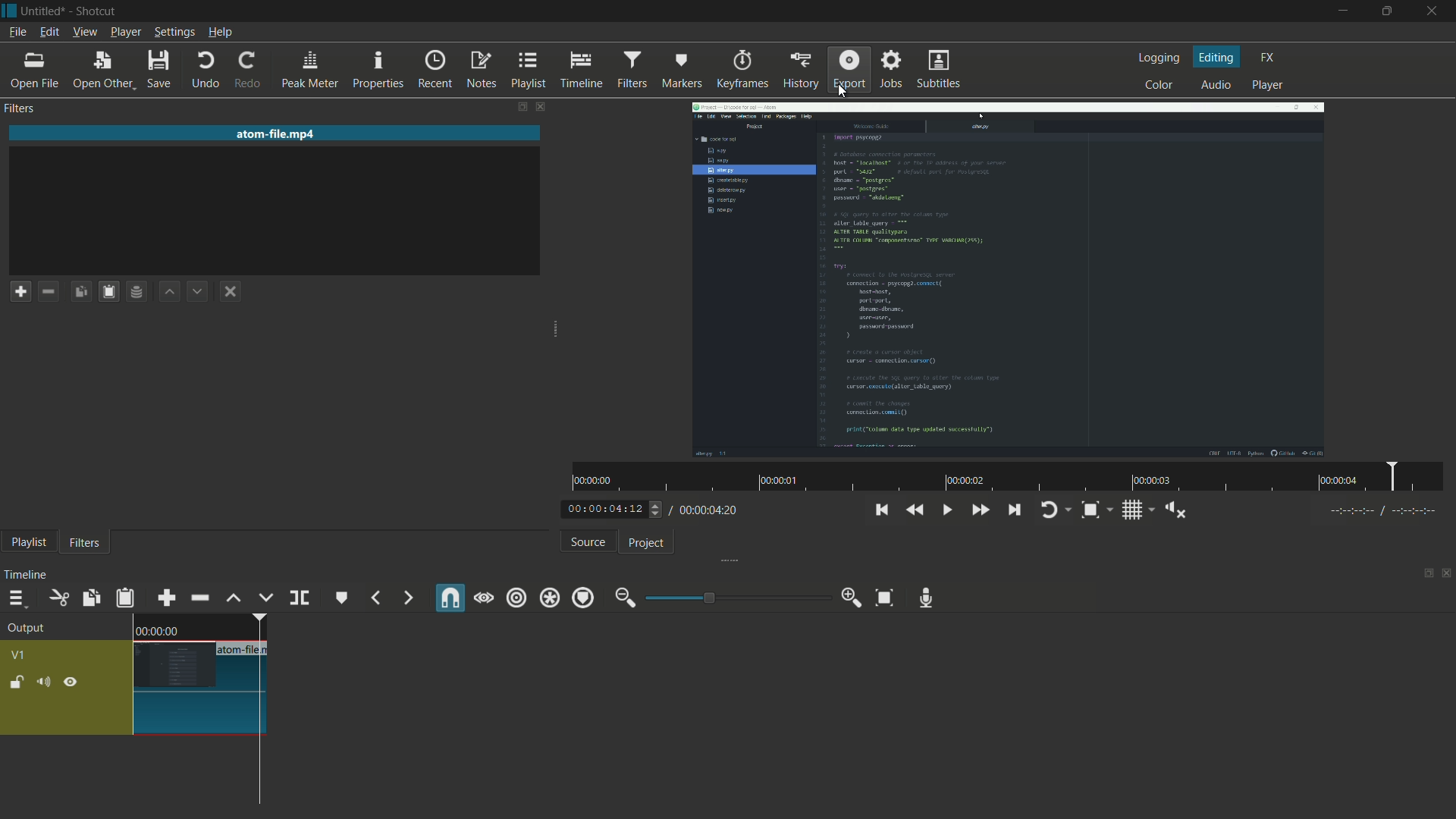 This screenshot has width=1456, height=819. What do you see at coordinates (37, 68) in the screenshot?
I see `open file` at bounding box center [37, 68].